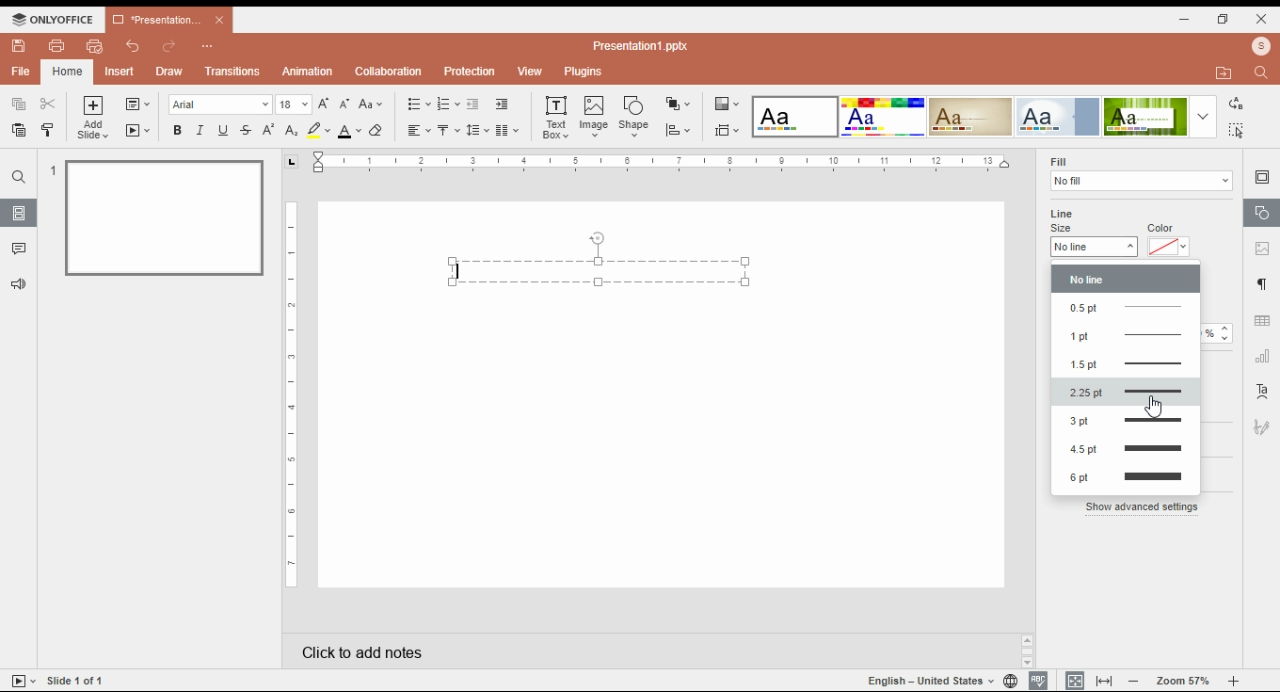 This screenshot has width=1280, height=692. What do you see at coordinates (177, 130) in the screenshot?
I see `bold` at bounding box center [177, 130].